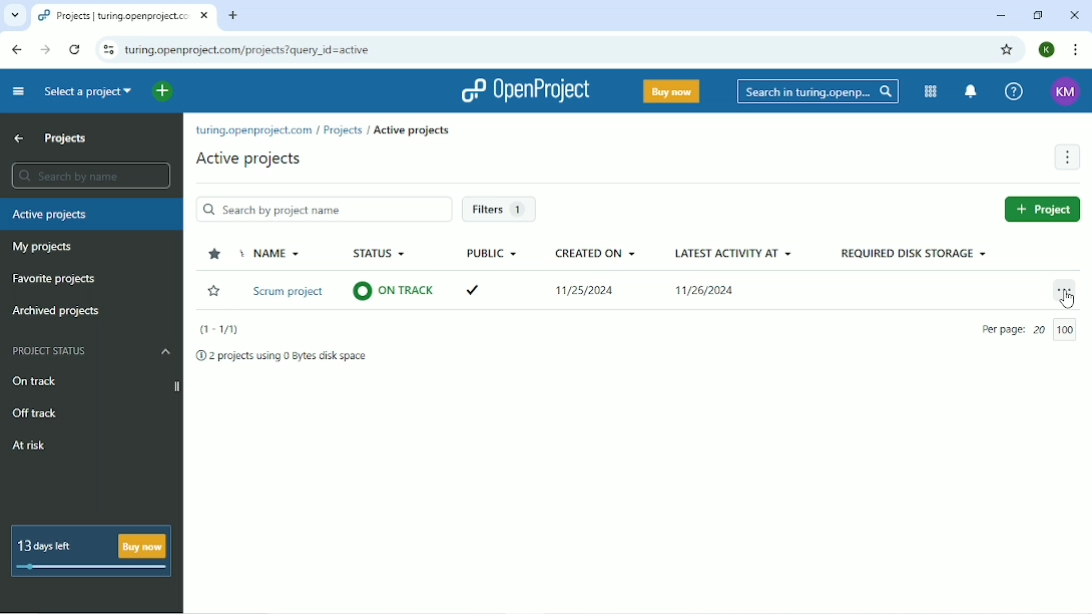 Image resolution: width=1092 pixels, height=614 pixels. Describe the element at coordinates (670, 91) in the screenshot. I see `Buy now` at that location.